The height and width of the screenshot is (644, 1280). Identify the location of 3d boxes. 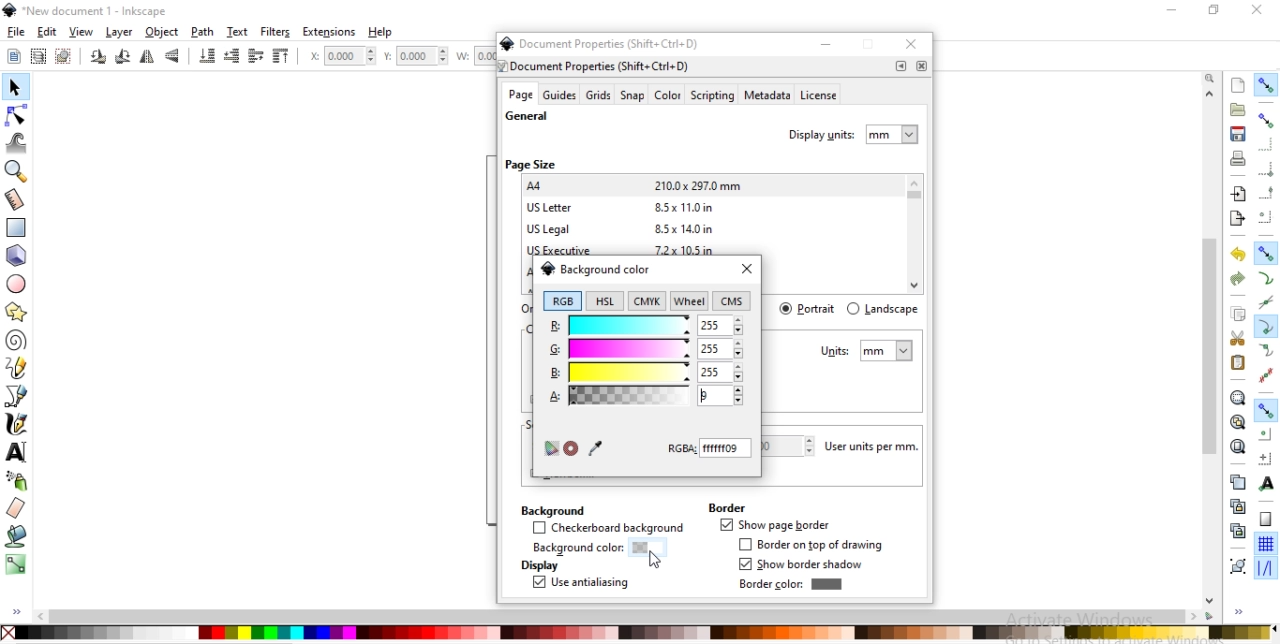
(16, 256).